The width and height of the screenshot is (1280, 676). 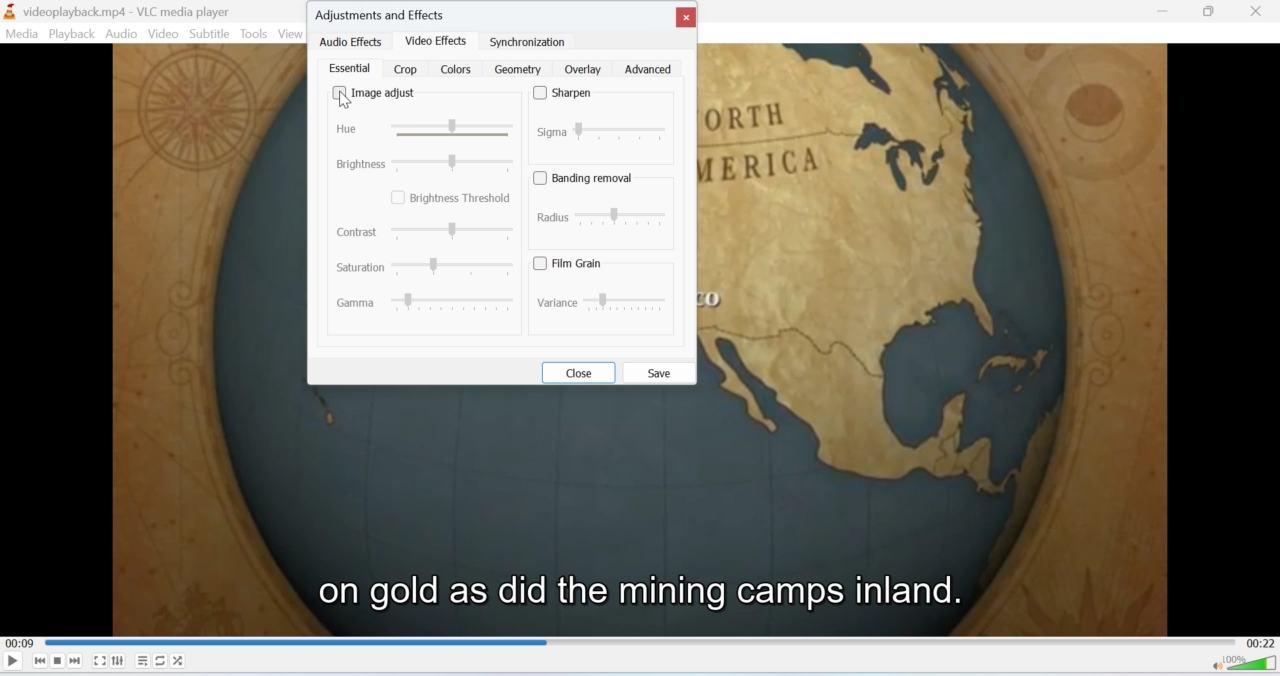 What do you see at coordinates (603, 217) in the screenshot?
I see `radius` at bounding box center [603, 217].